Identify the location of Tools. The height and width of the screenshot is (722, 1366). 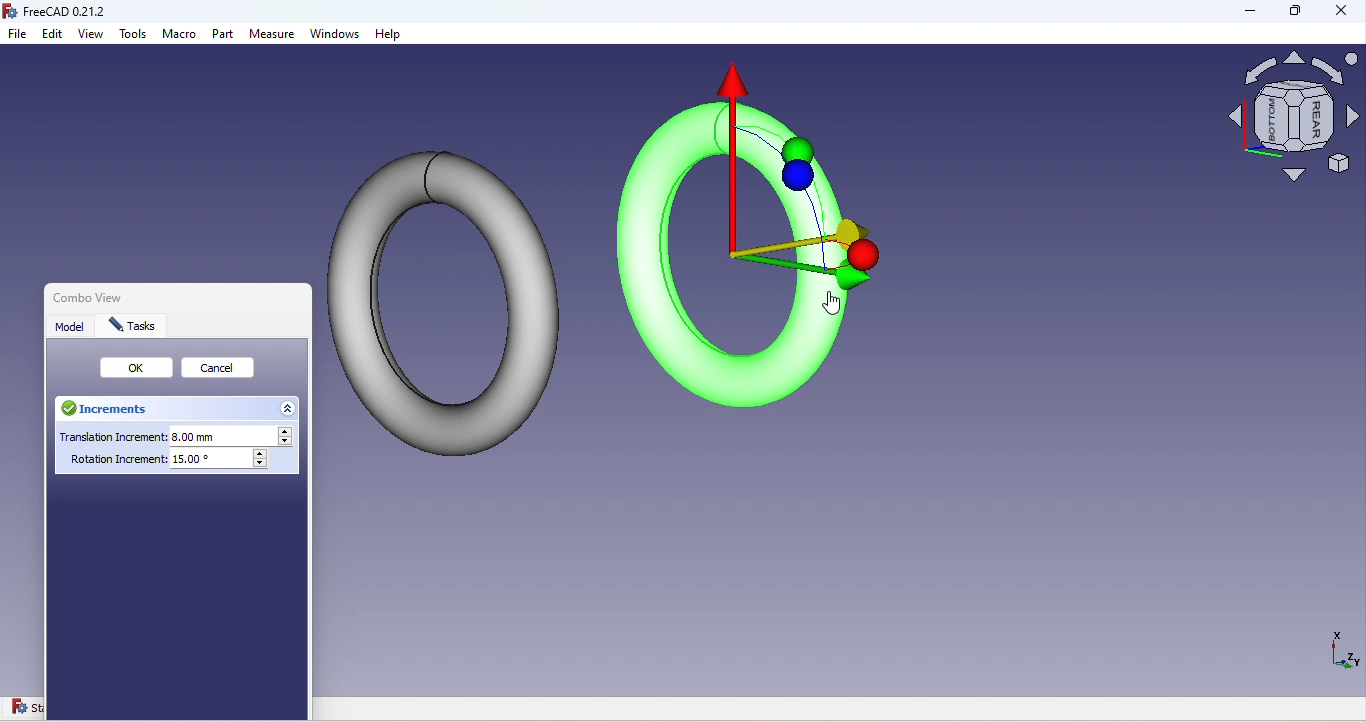
(134, 38).